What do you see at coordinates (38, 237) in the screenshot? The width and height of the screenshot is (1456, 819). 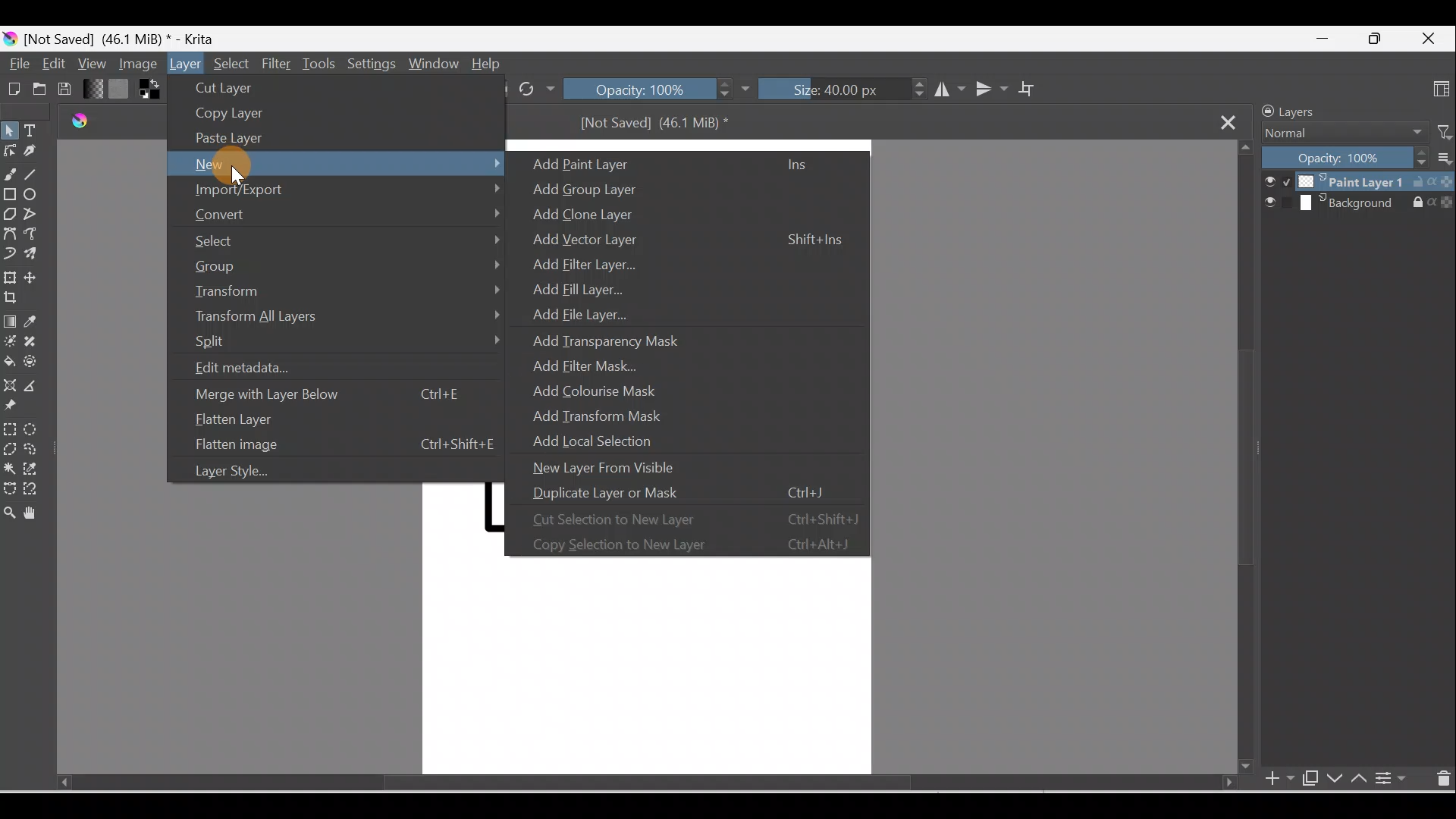 I see `Freehand path tool` at bounding box center [38, 237].